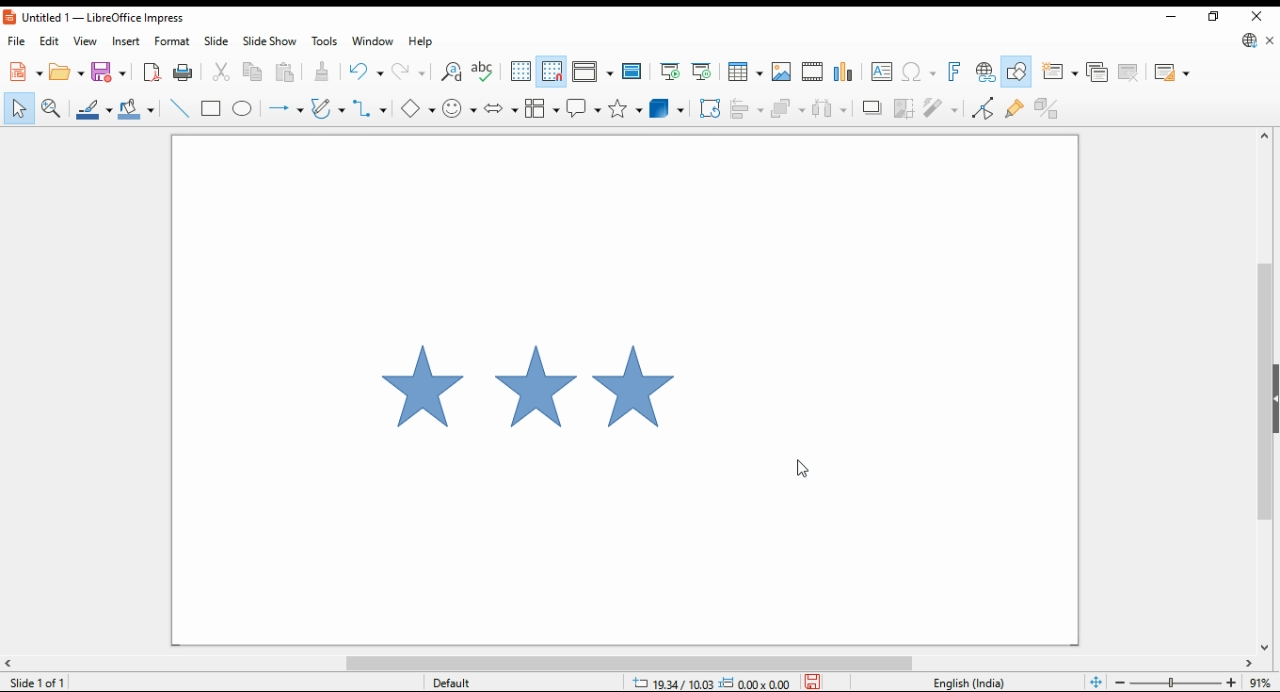 This screenshot has width=1280, height=692. What do you see at coordinates (789, 108) in the screenshot?
I see `arrange` at bounding box center [789, 108].